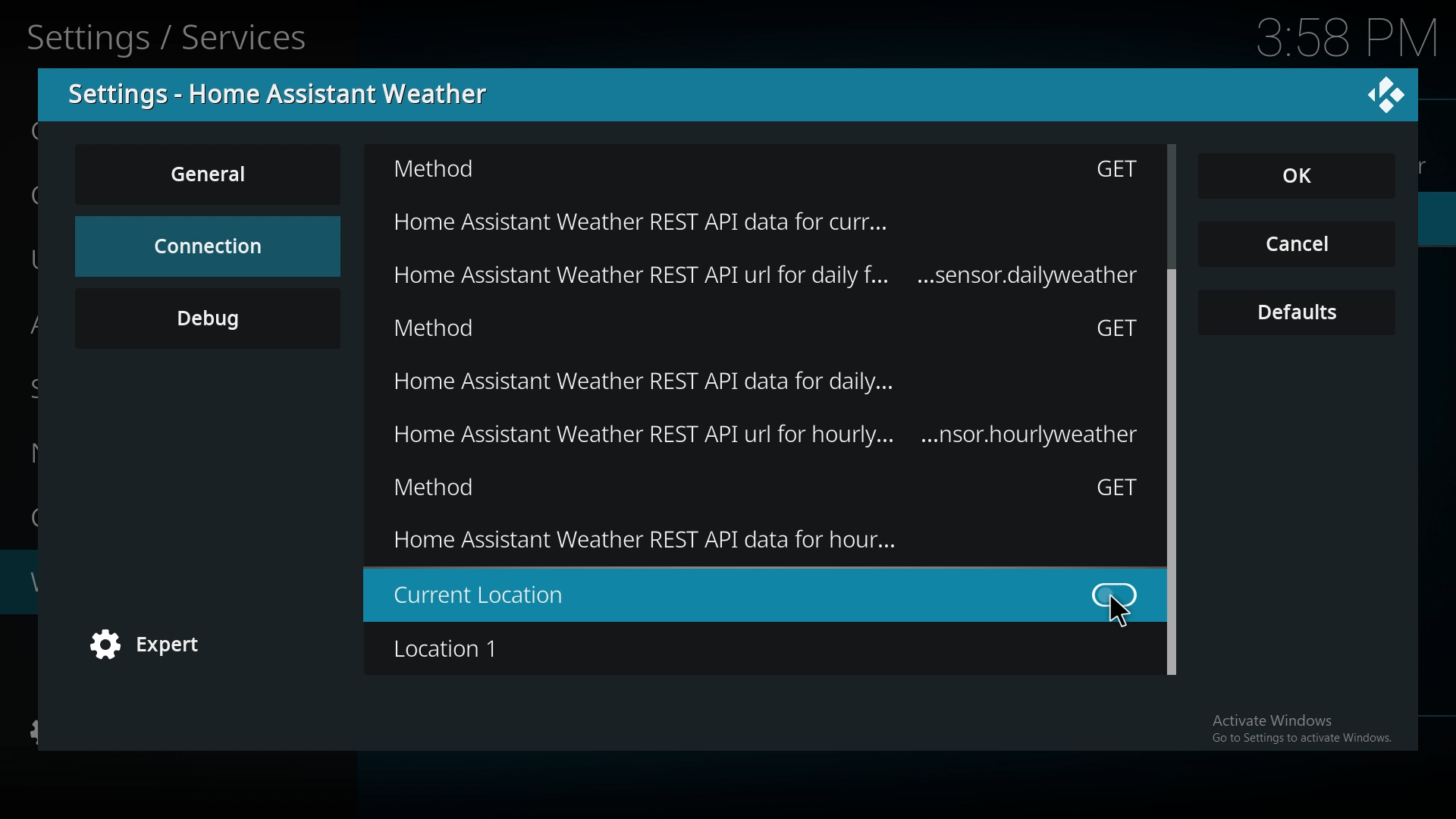 The height and width of the screenshot is (819, 1456). I want to click on location, so click(755, 653).